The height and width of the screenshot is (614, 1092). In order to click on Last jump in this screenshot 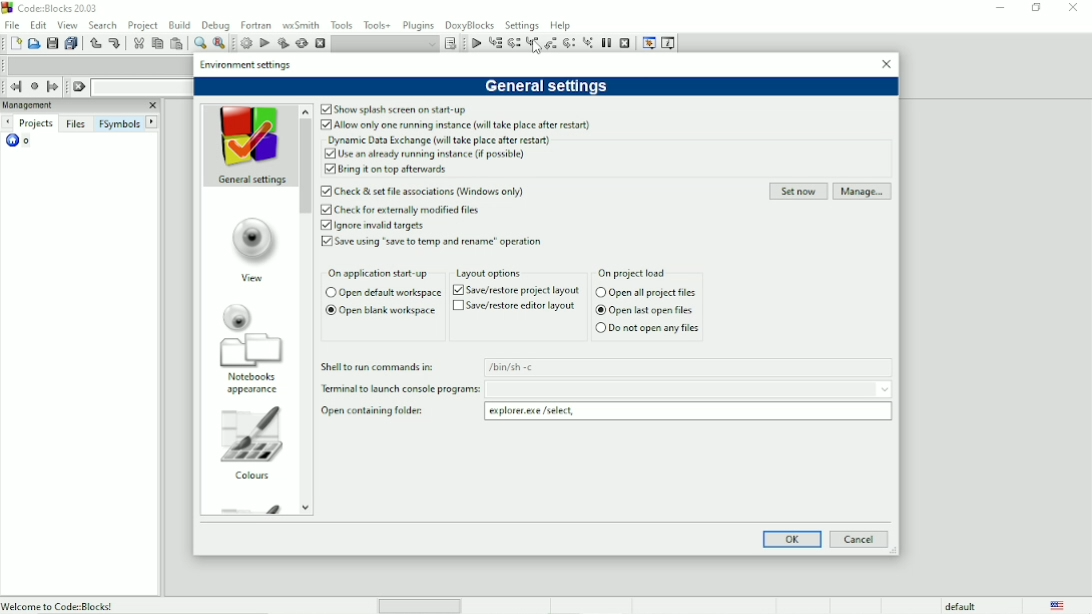, I will do `click(34, 87)`.